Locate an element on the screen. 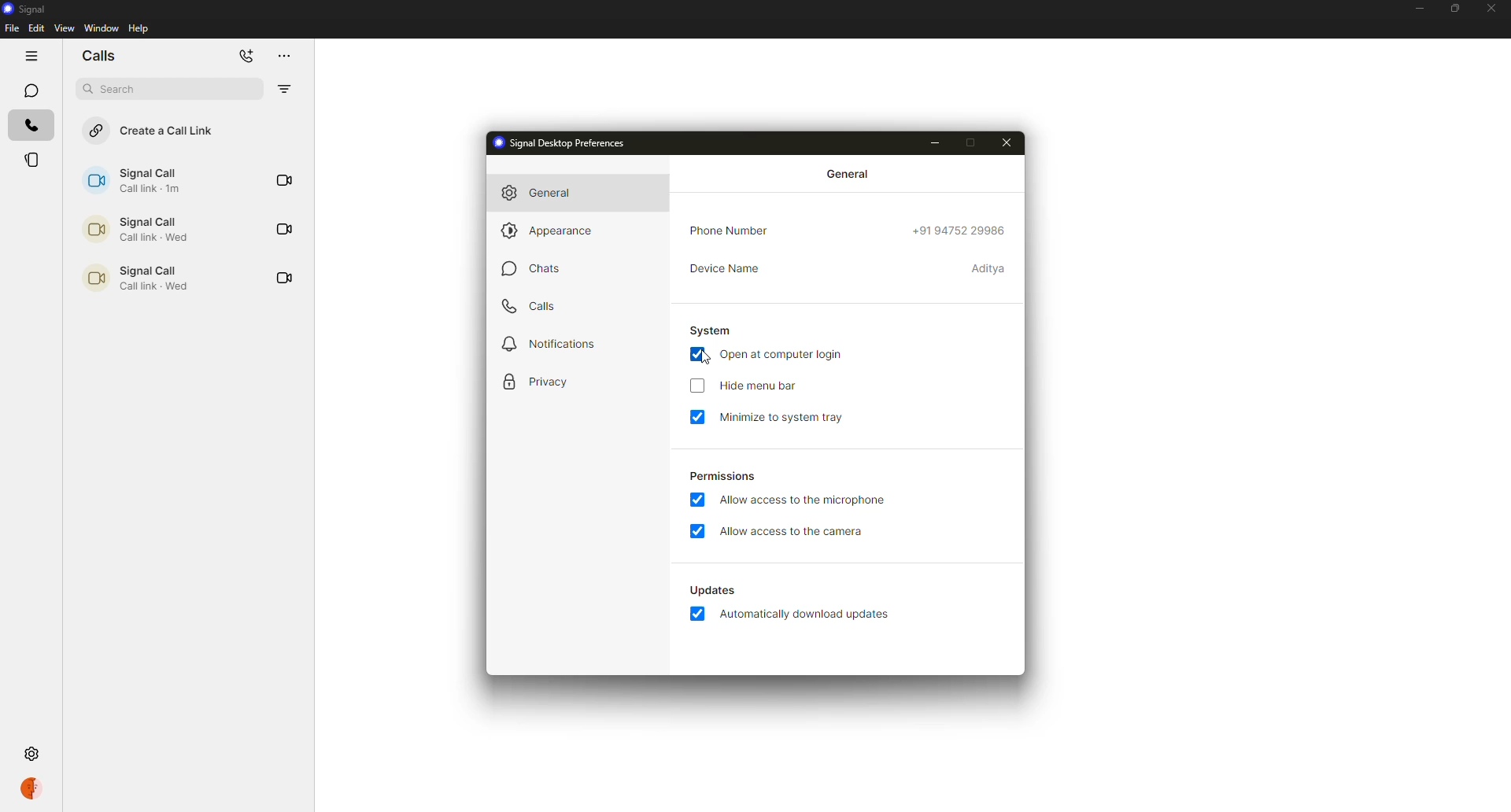 Image resolution: width=1511 pixels, height=812 pixels. allow access to camera is located at coordinates (792, 532).